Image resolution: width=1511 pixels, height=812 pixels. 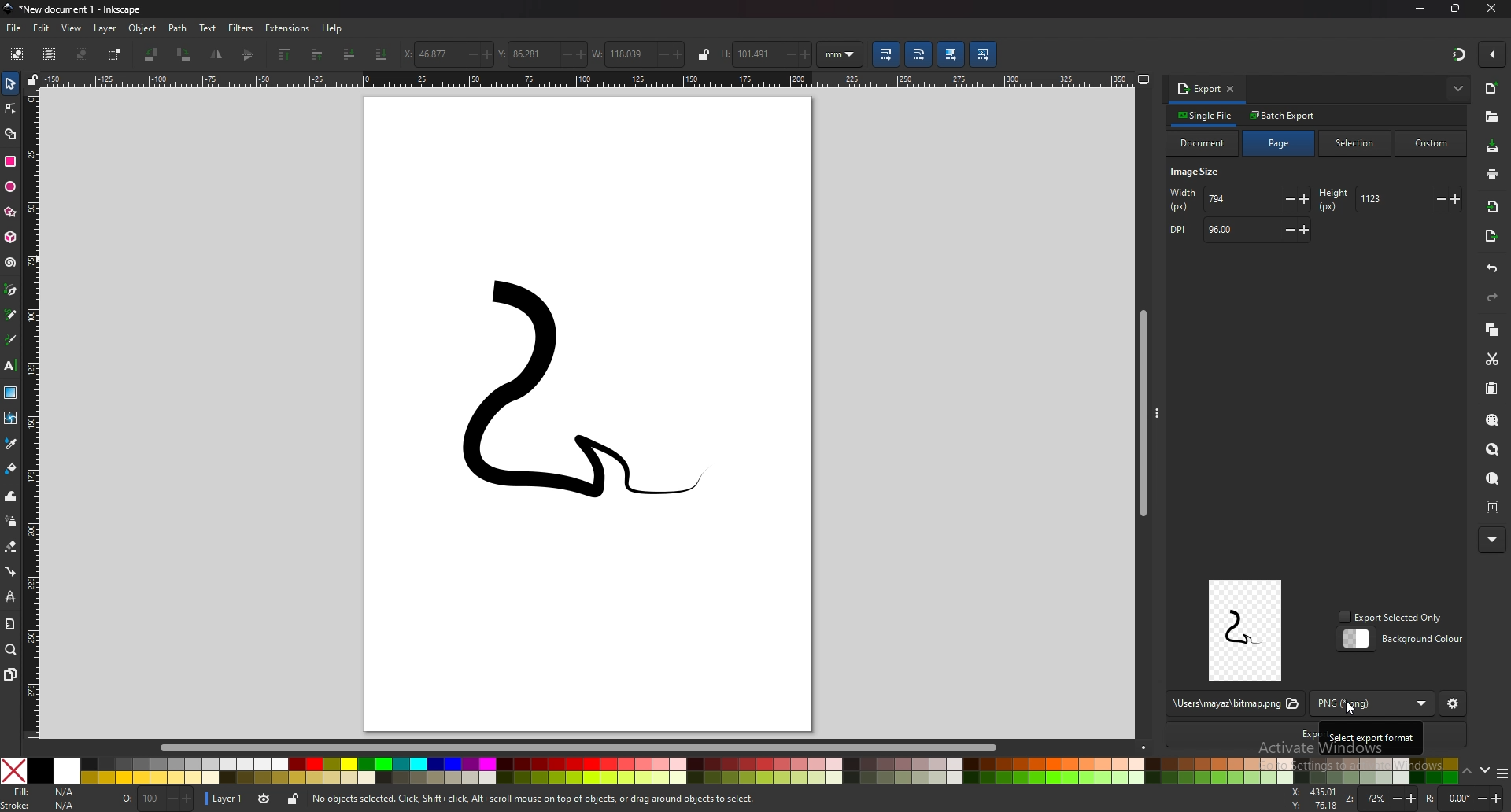 I want to click on lower selection one step, so click(x=350, y=53).